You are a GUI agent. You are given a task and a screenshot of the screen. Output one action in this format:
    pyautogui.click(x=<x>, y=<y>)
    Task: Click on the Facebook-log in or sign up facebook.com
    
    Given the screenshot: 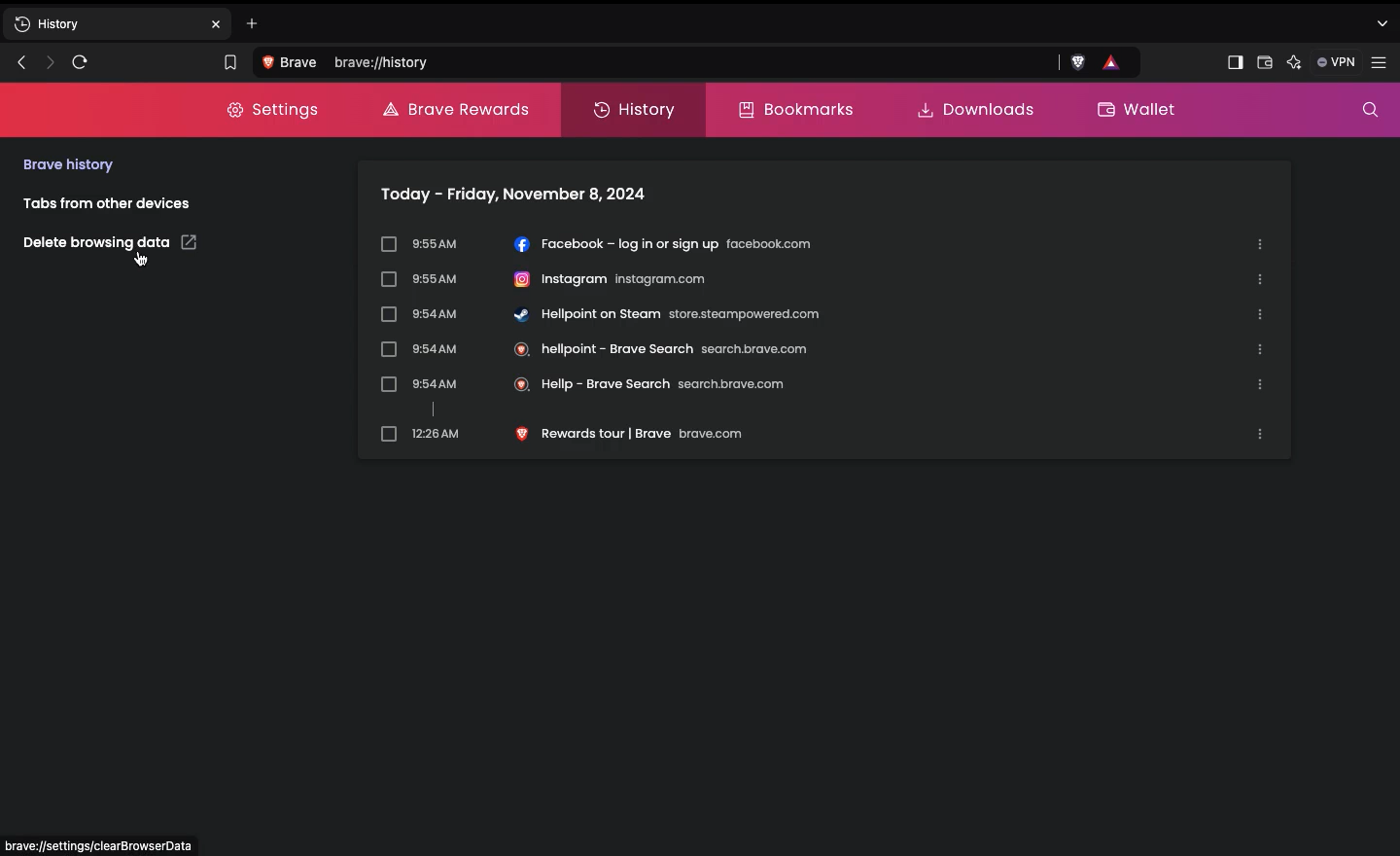 What is the action you would take?
    pyautogui.click(x=820, y=243)
    